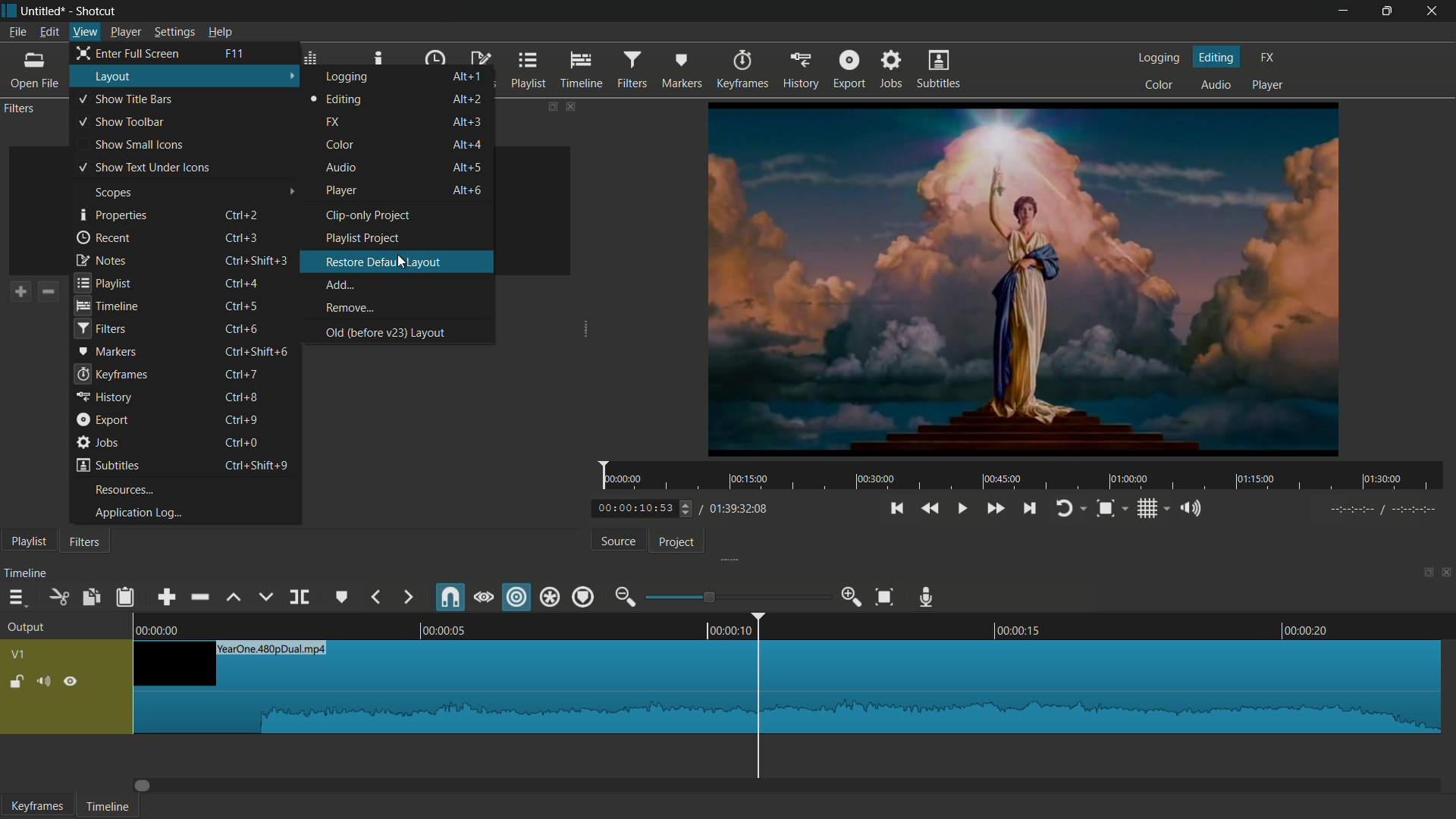 The image size is (1456, 819). What do you see at coordinates (199, 598) in the screenshot?
I see `ripple delete` at bounding box center [199, 598].